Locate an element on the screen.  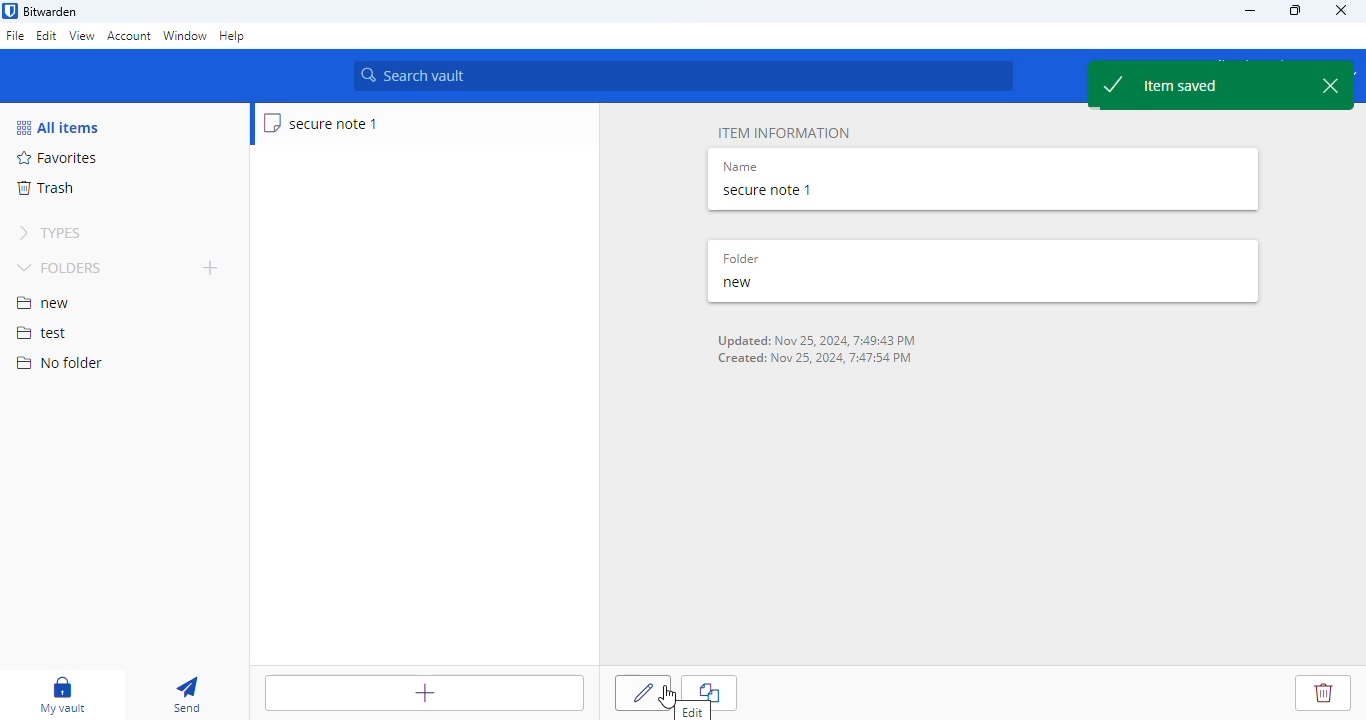
new is located at coordinates (738, 283).